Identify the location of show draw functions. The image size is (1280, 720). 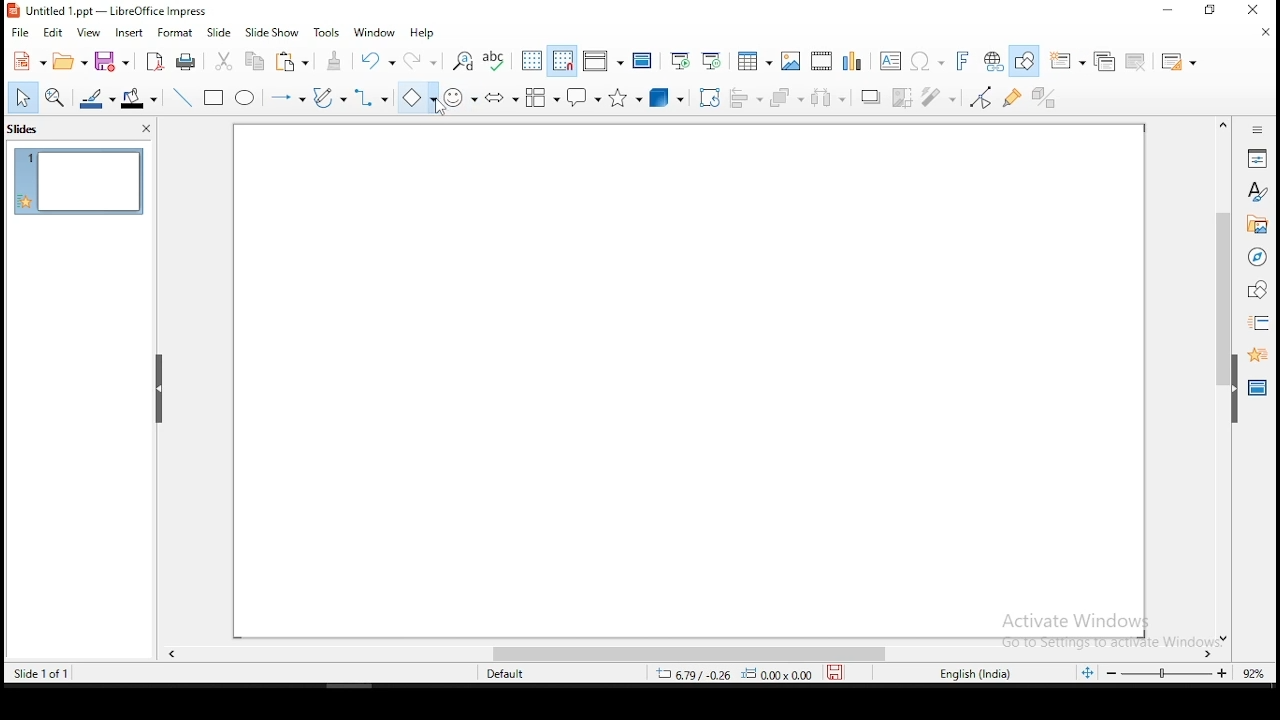
(1023, 62).